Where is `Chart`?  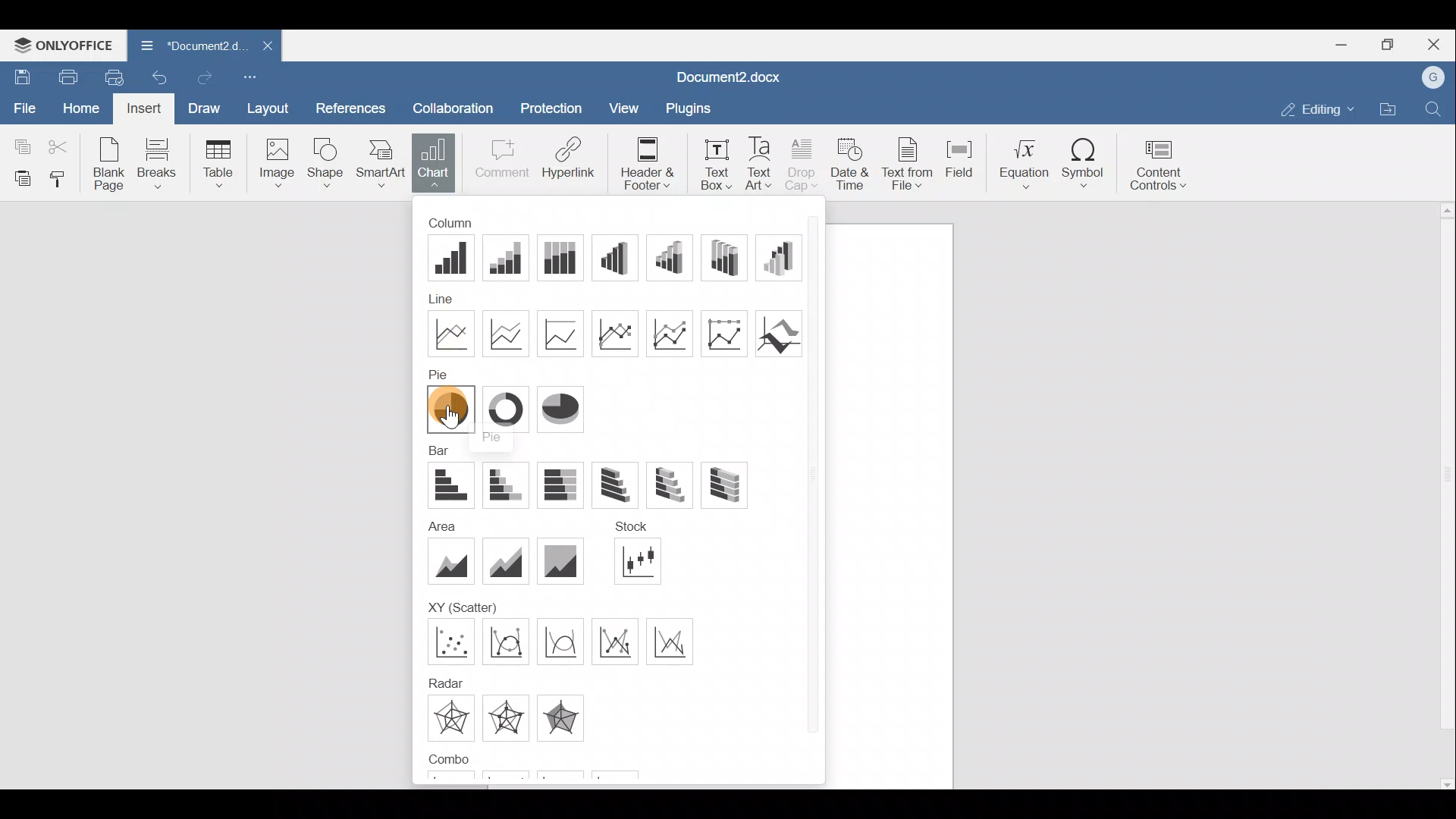
Chart is located at coordinates (433, 162).